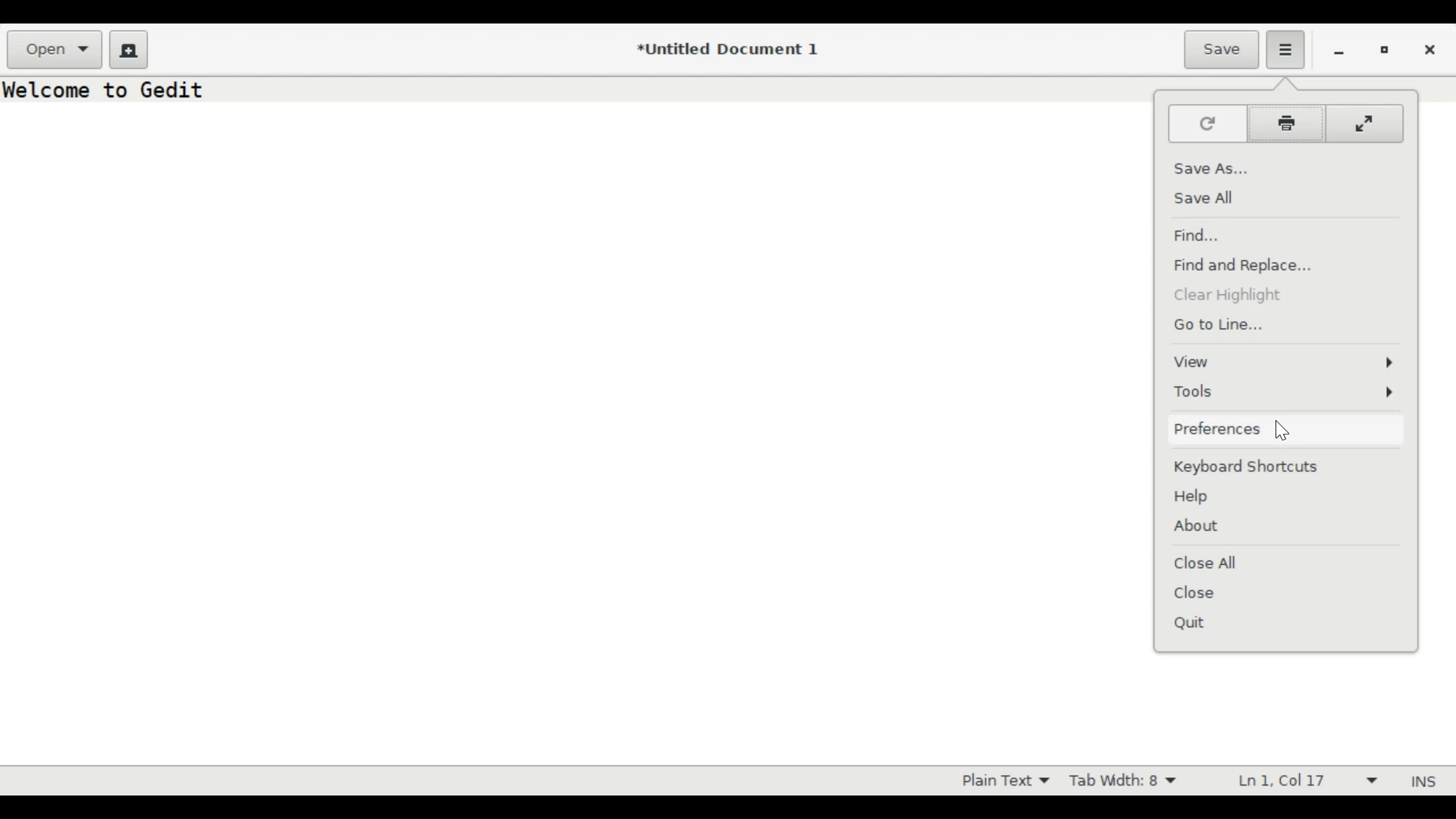 Image resolution: width=1456 pixels, height=819 pixels. Describe the element at coordinates (1210, 197) in the screenshot. I see `Save All` at that location.